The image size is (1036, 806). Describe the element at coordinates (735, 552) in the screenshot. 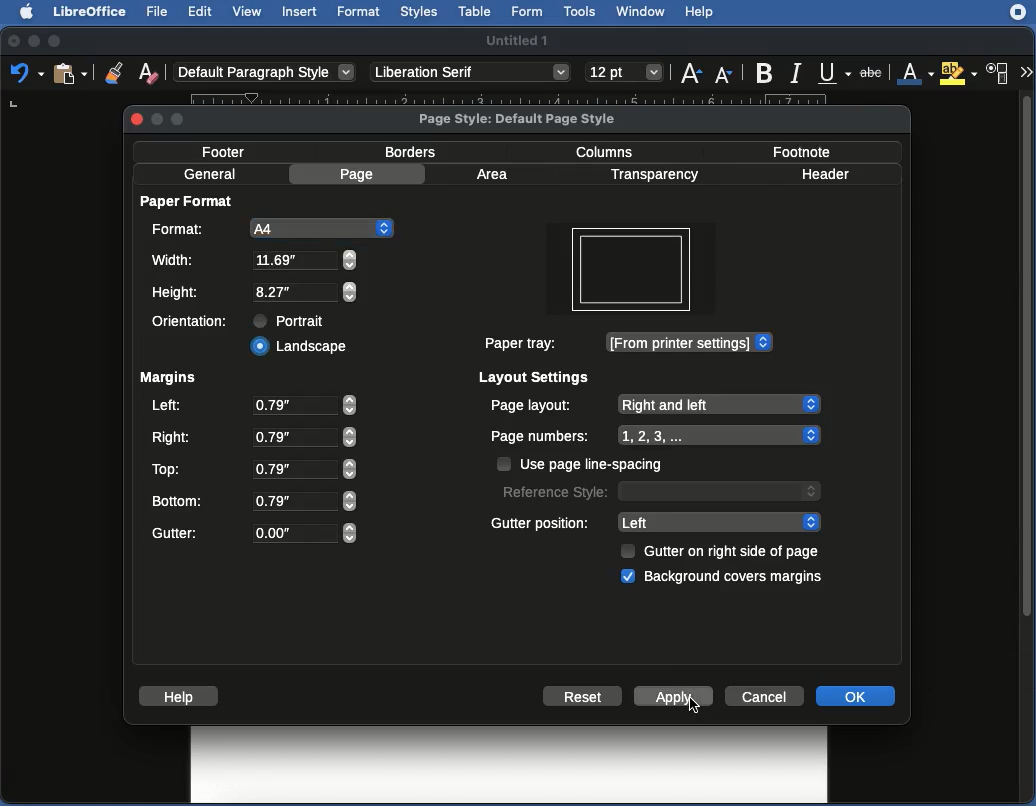

I see `Gutter on right` at that location.